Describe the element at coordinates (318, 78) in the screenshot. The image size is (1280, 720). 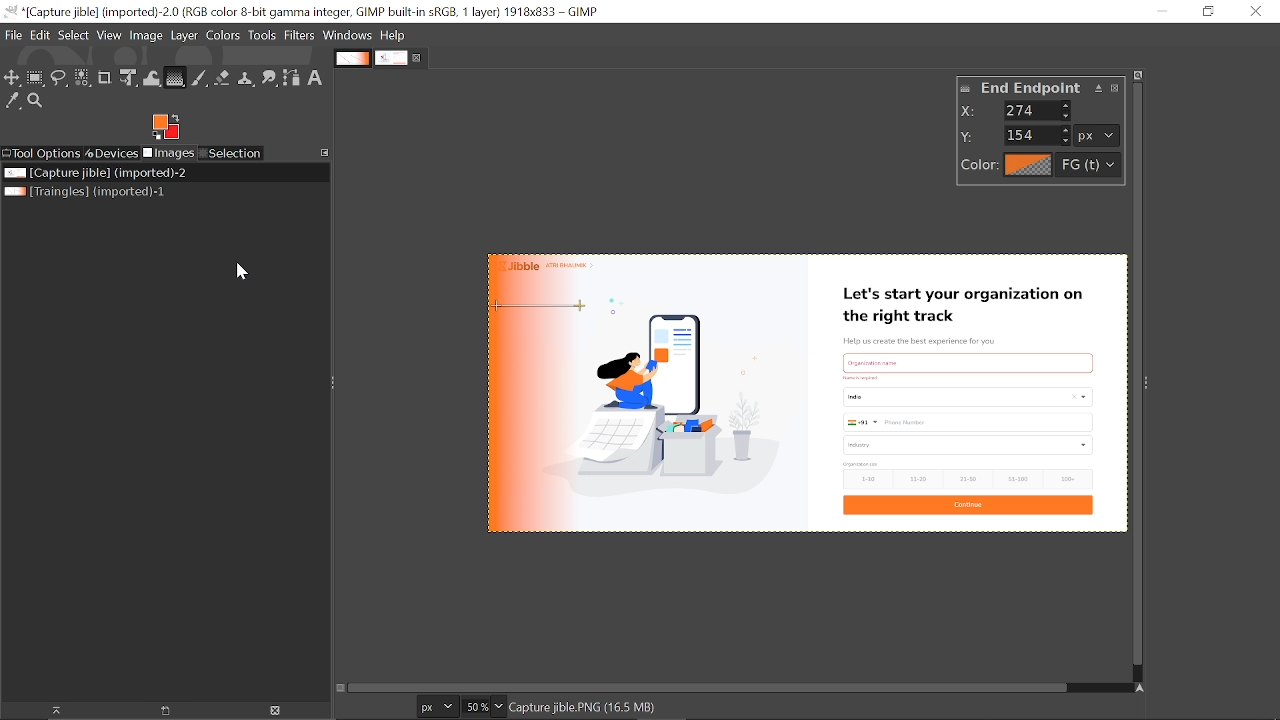
I see `text tool` at that location.